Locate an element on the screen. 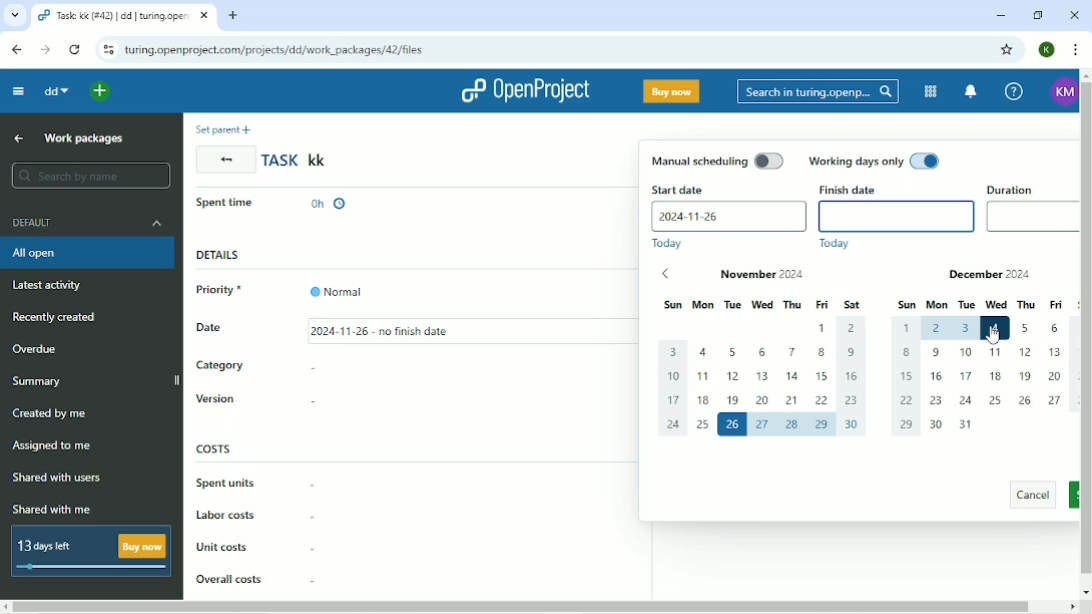 The image size is (1092, 614). 2024-11-26 is located at coordinates (730, 216).